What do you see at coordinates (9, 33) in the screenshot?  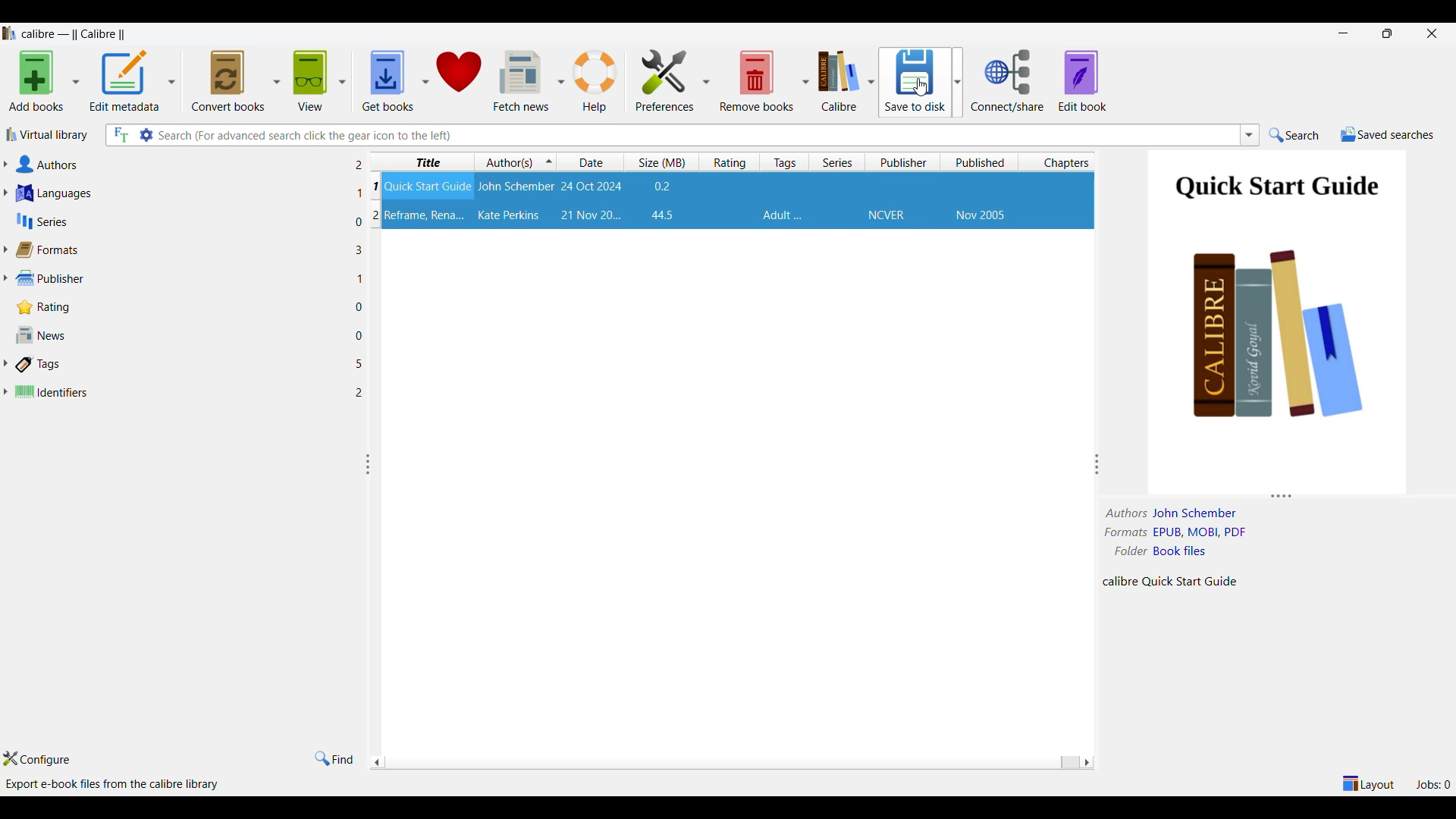 I see `Software logo` at bounding box center [9, 33].